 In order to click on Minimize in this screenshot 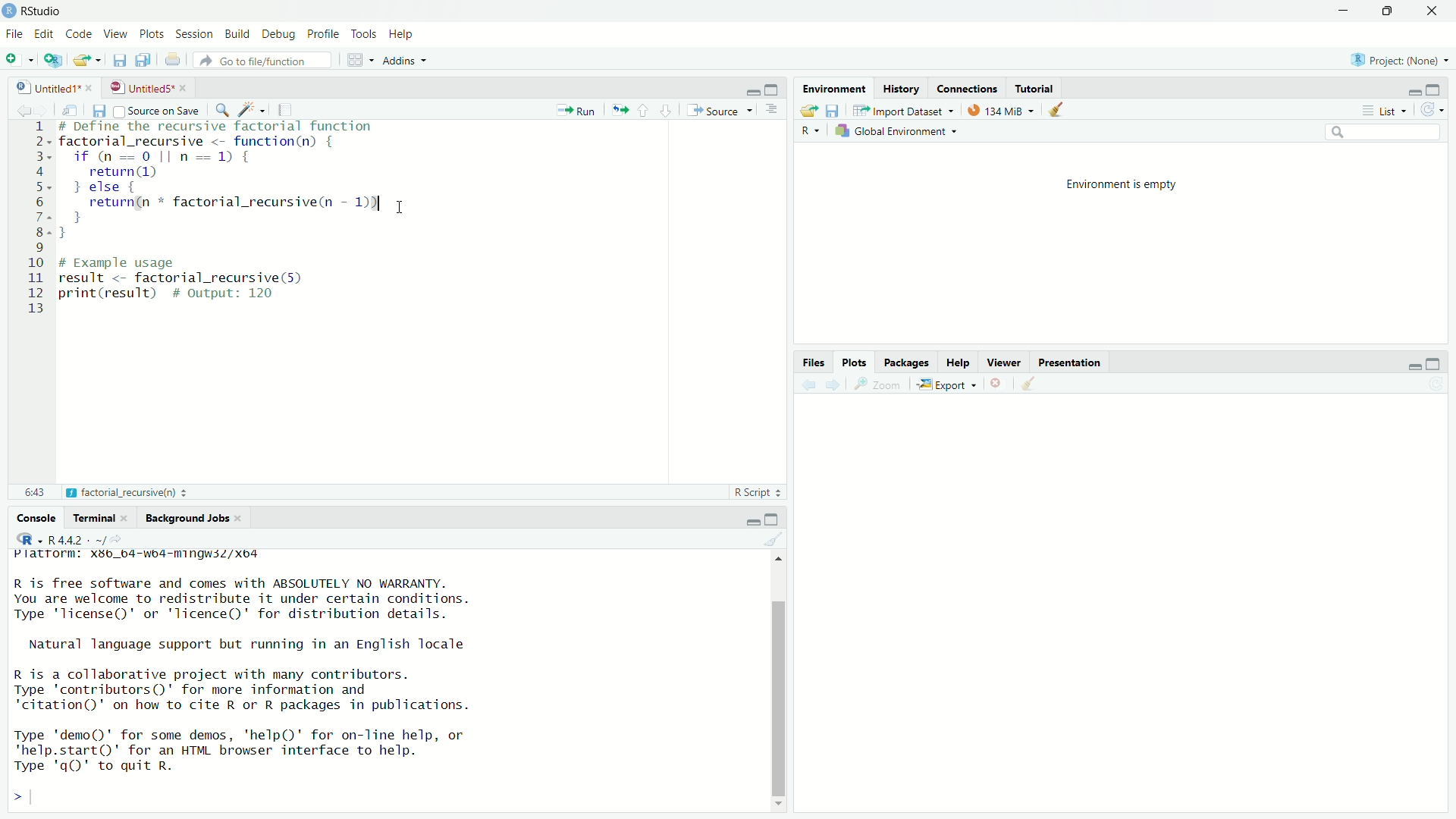, I will do `click(1341, 11)`.